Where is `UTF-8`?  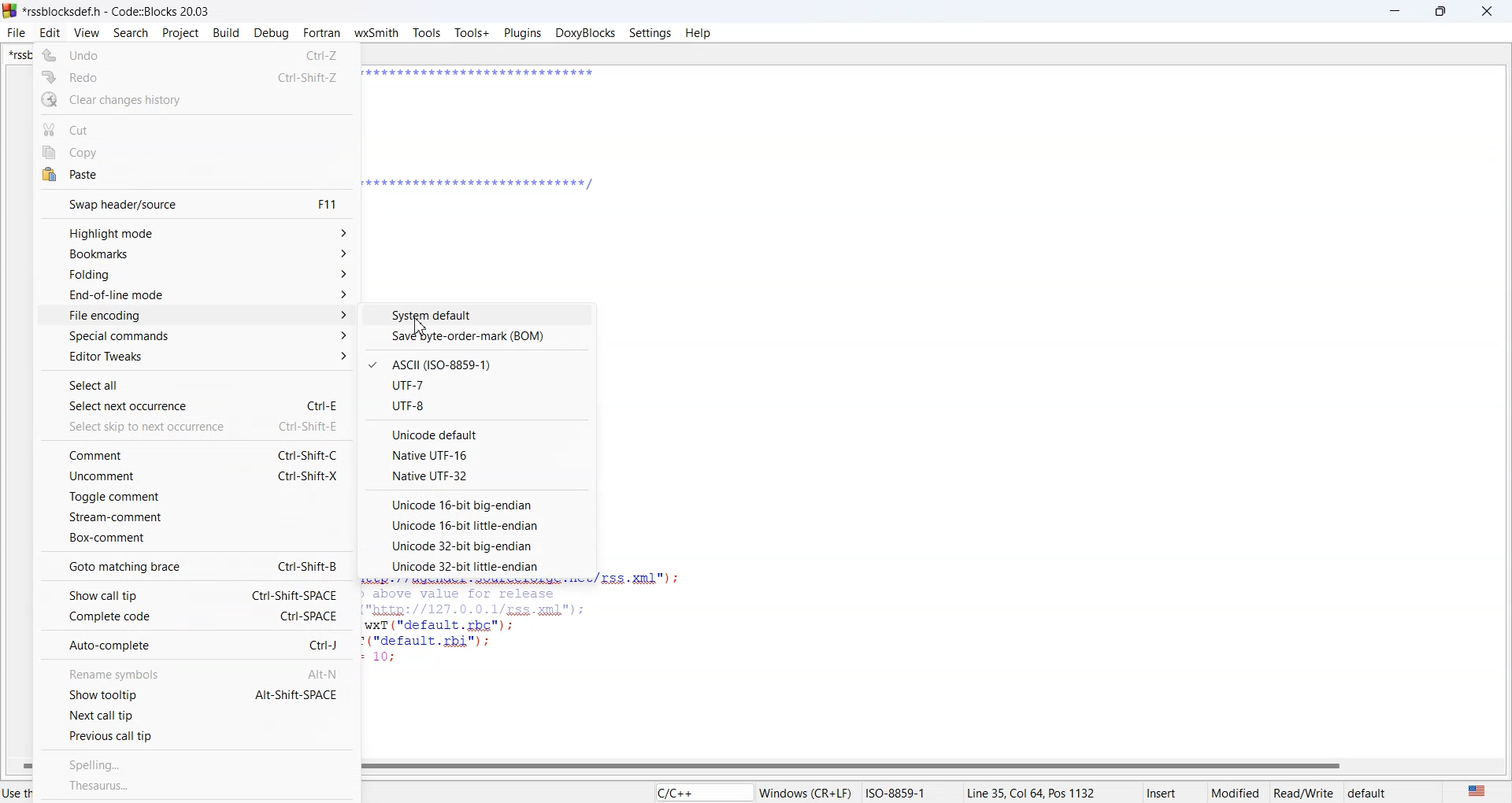 UTF-8 is located at coordinates (479, 406).